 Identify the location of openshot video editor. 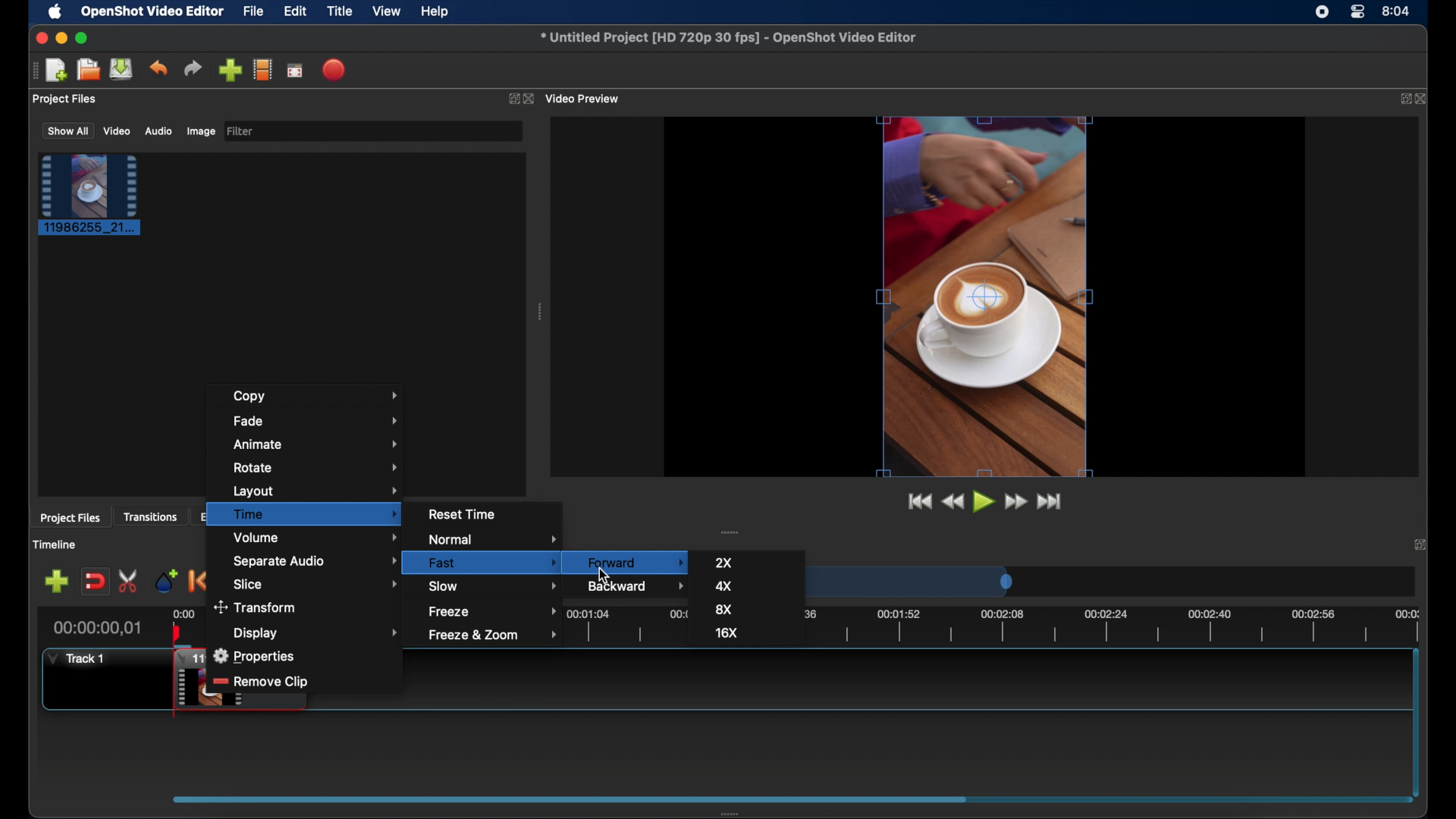
(153, 12).